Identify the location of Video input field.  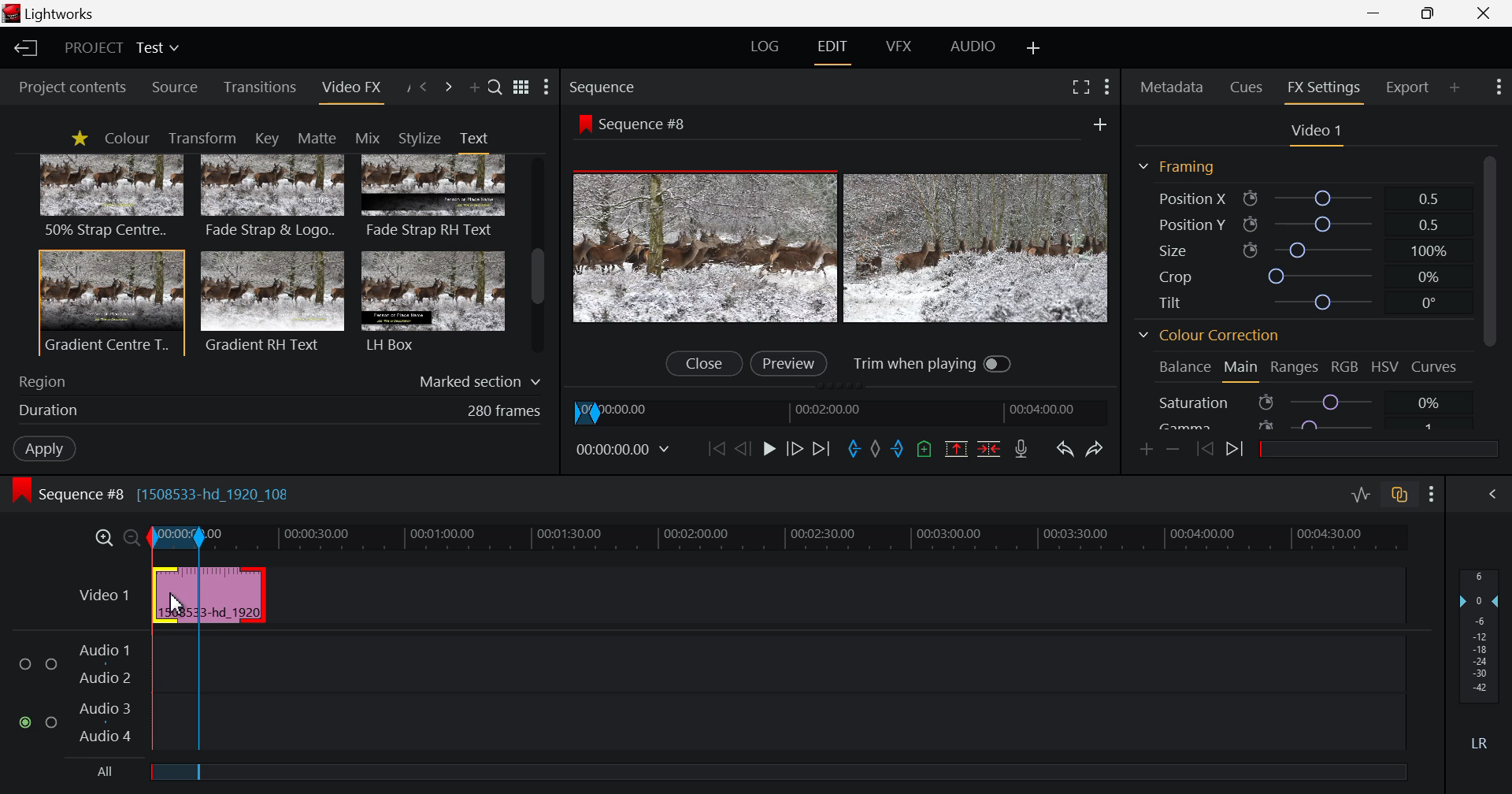
(205, 595).